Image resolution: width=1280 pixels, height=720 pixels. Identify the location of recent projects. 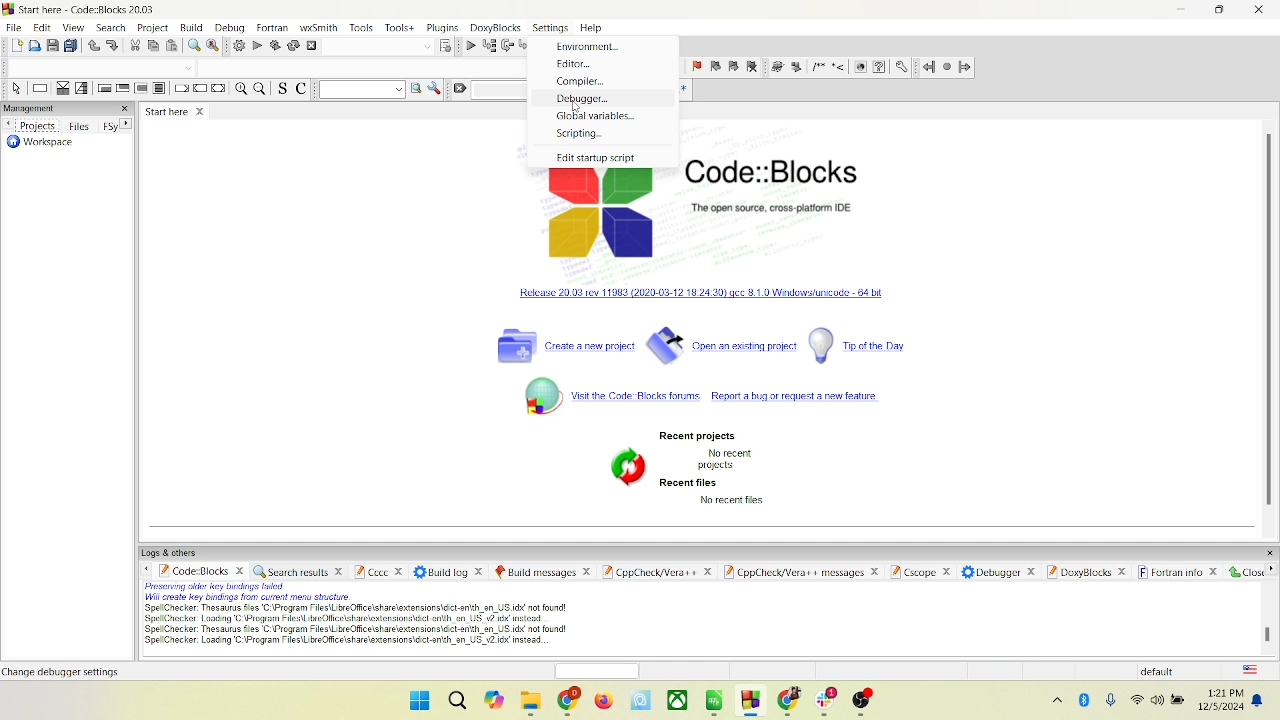
(696, 436).